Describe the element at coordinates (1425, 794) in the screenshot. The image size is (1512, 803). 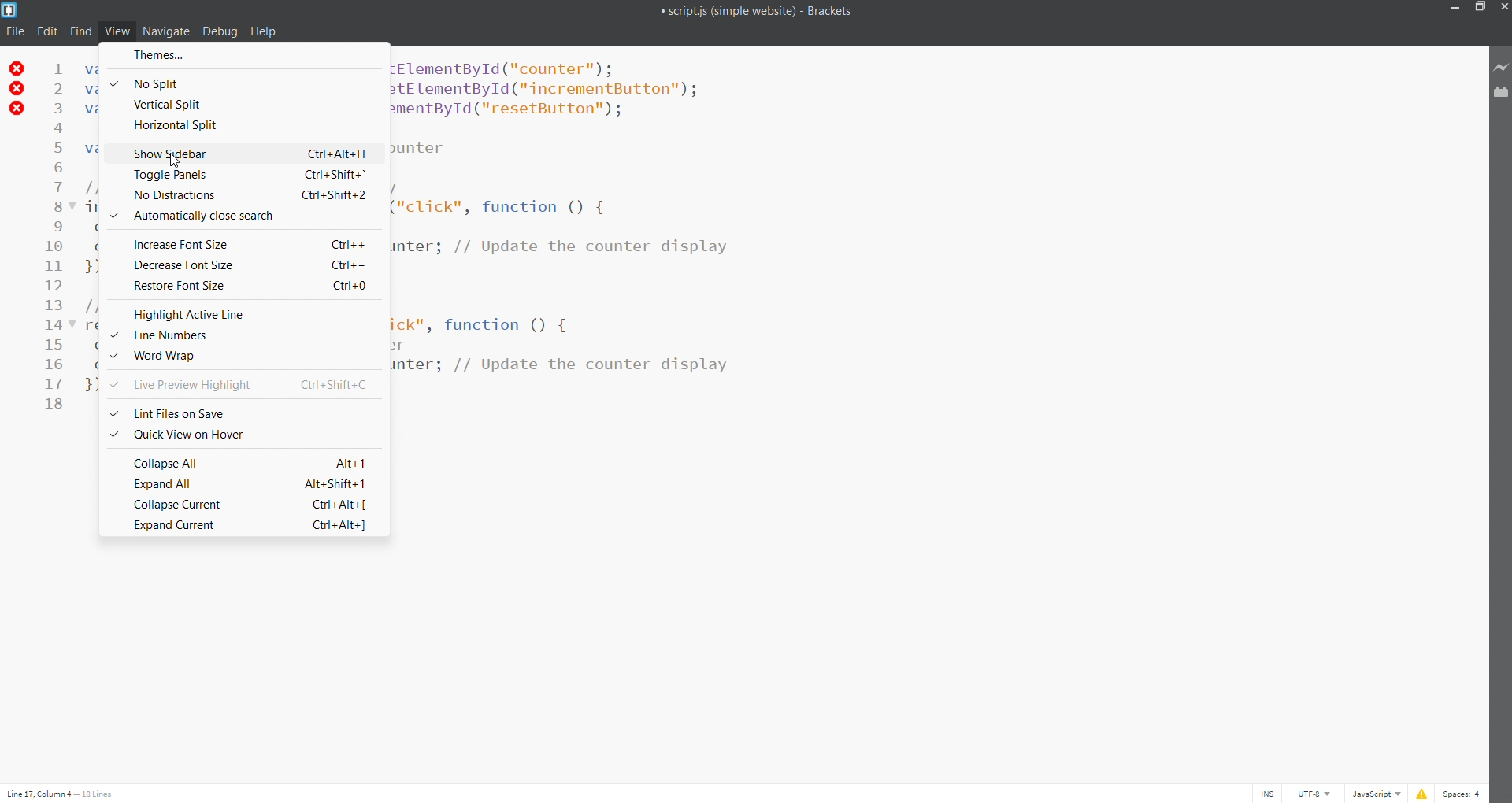
I see `show errors` at that location.